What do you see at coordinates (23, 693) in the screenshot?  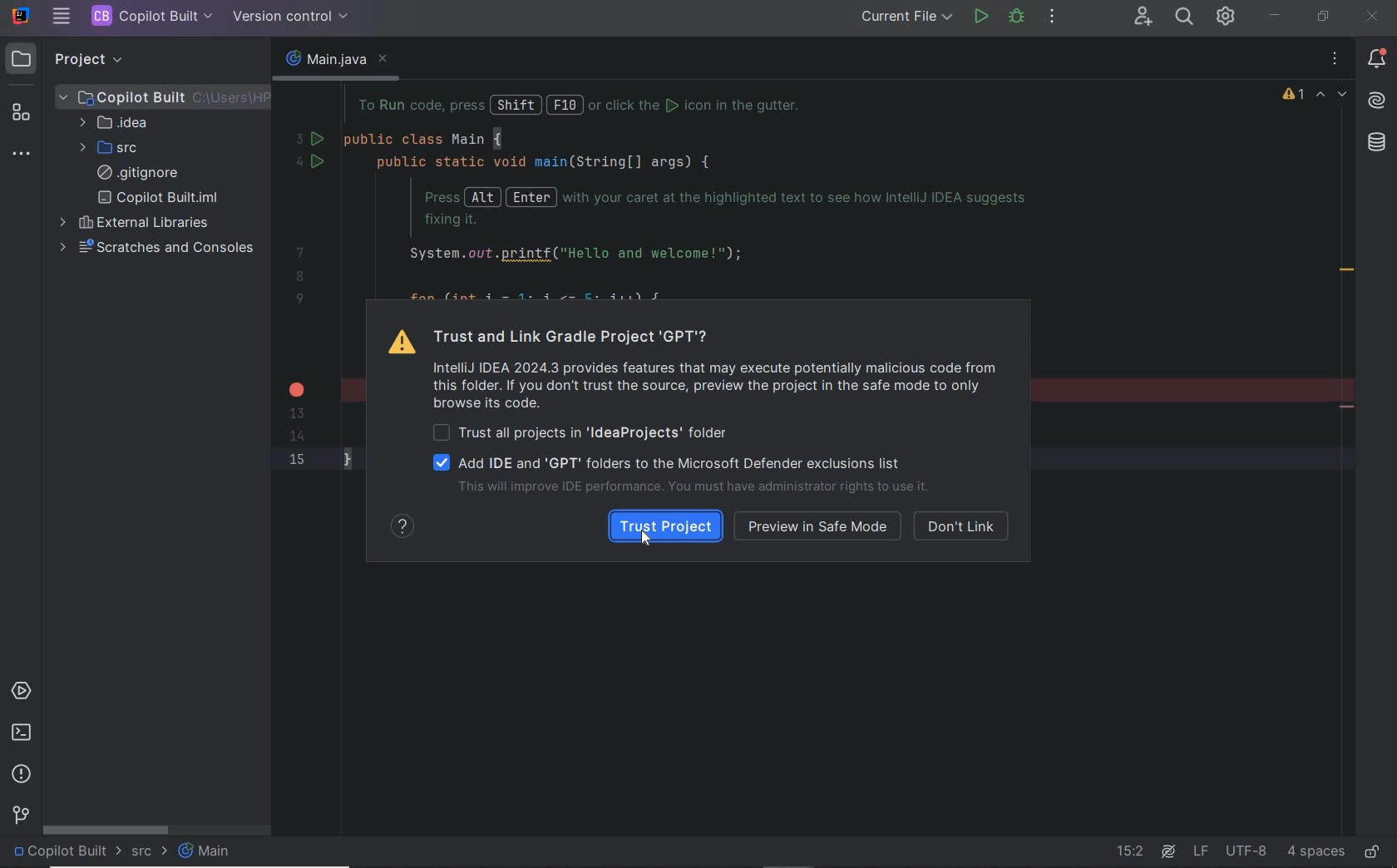 I see `services` at bounding box center [23, 693].